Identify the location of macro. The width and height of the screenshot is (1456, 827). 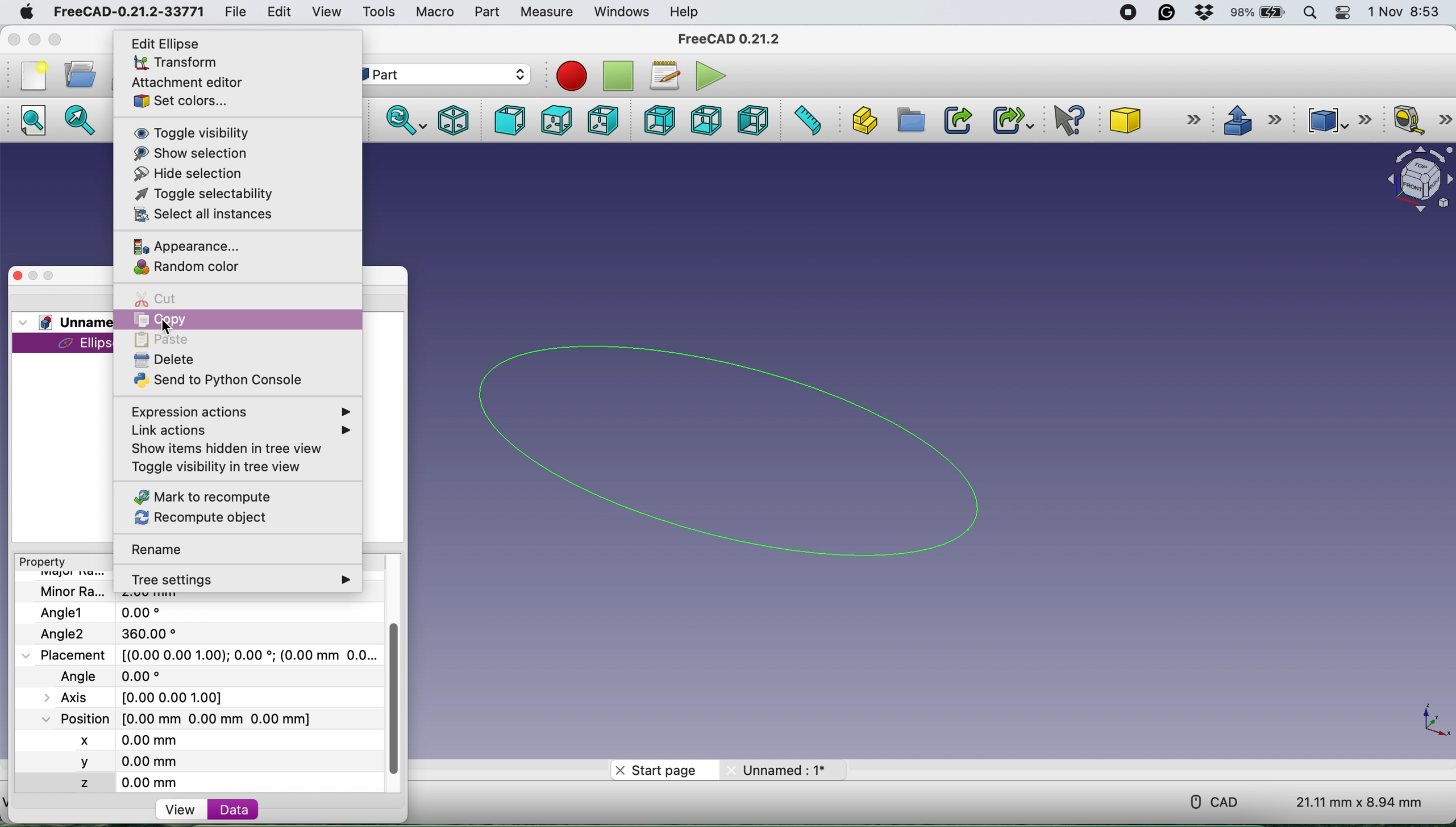
(434, 12).